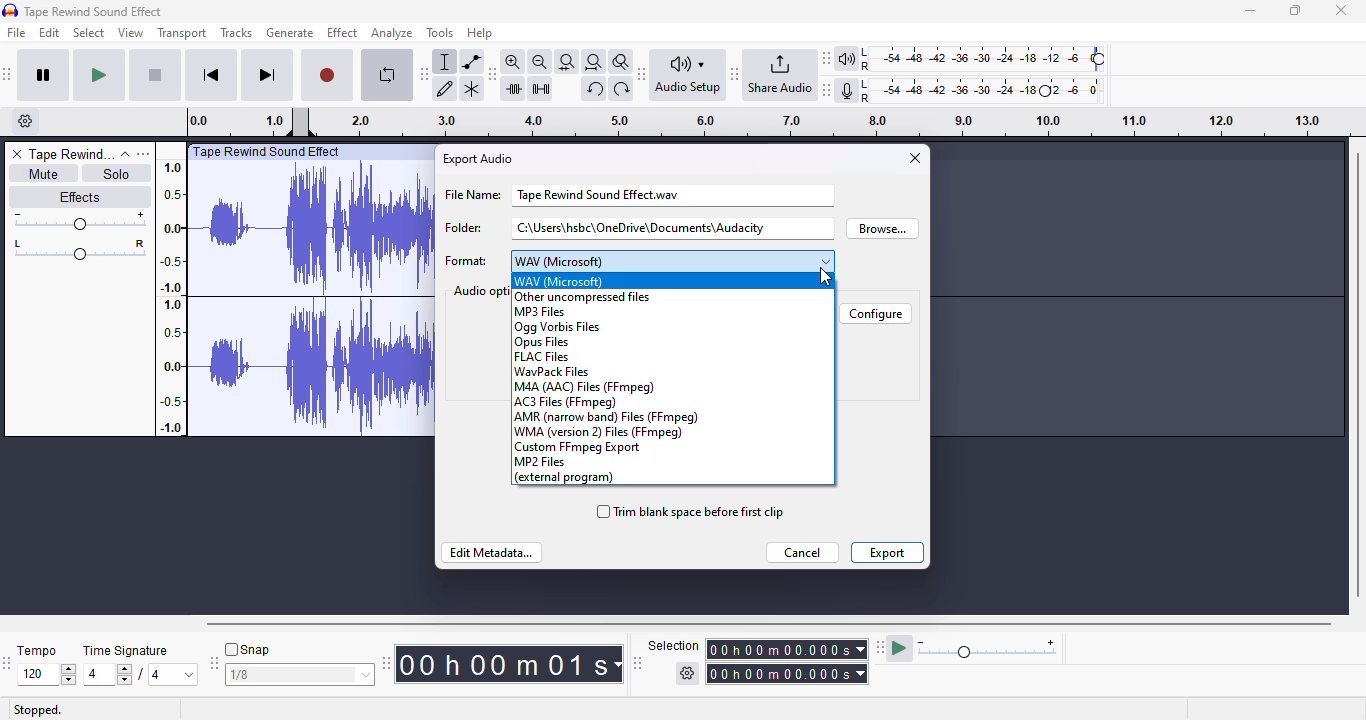  I want to click on FLAC files, so click(540, 356).